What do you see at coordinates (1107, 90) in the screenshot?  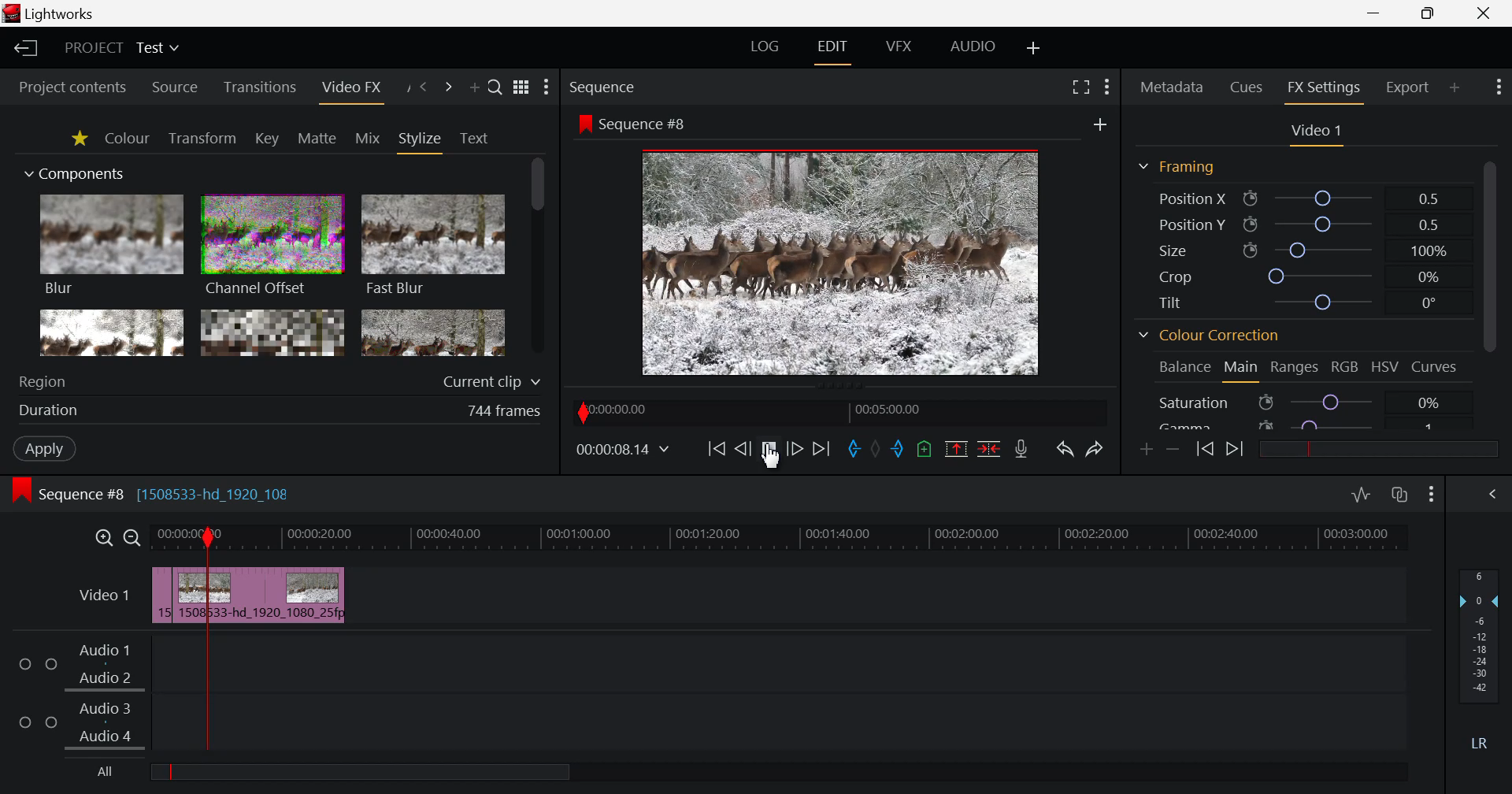 I see `Show Settings` at bounding box center [1107, 90].